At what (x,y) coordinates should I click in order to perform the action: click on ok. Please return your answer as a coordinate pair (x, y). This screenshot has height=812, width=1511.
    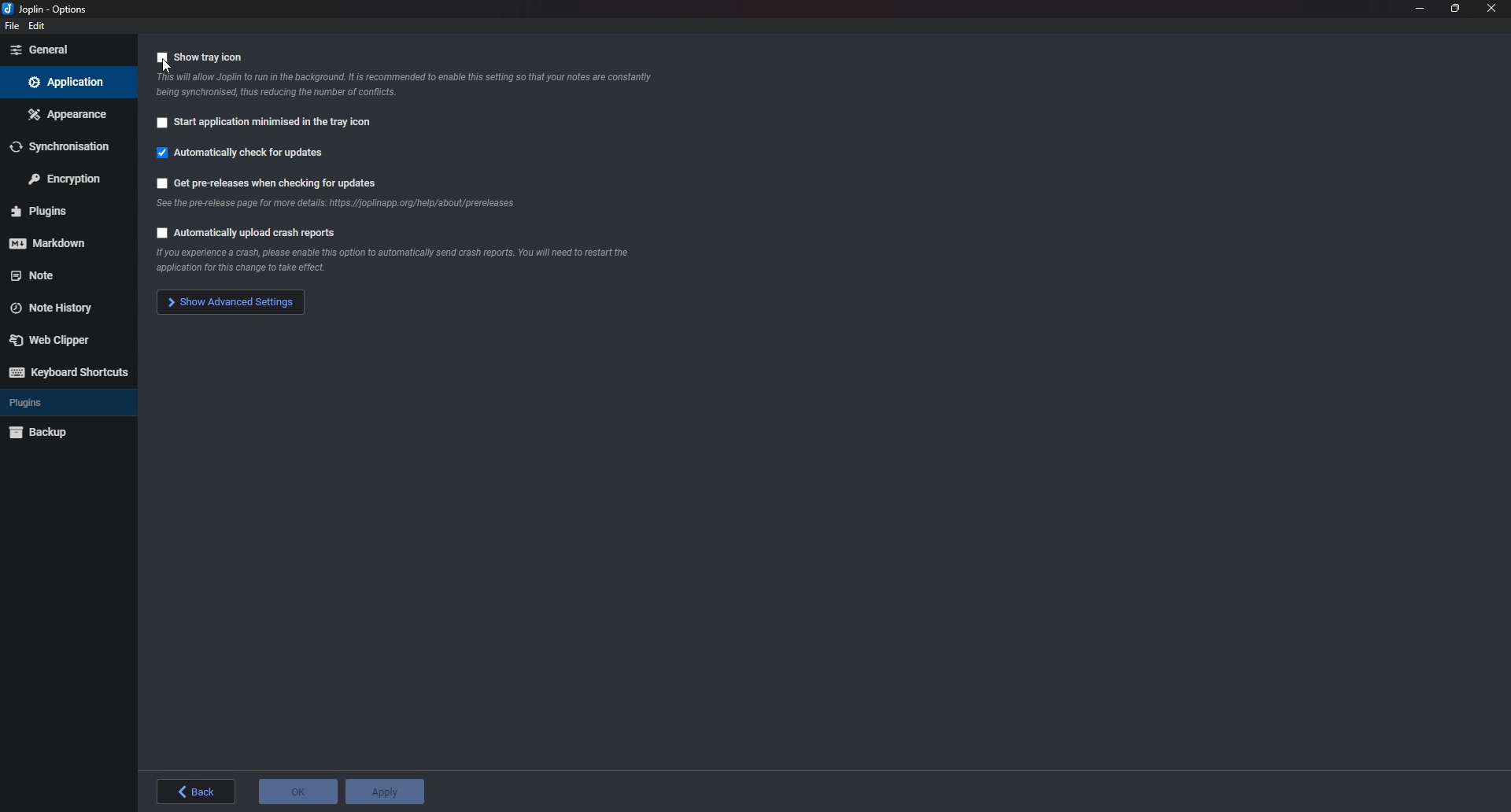
    Looking at the image, I should click on (298, 792).